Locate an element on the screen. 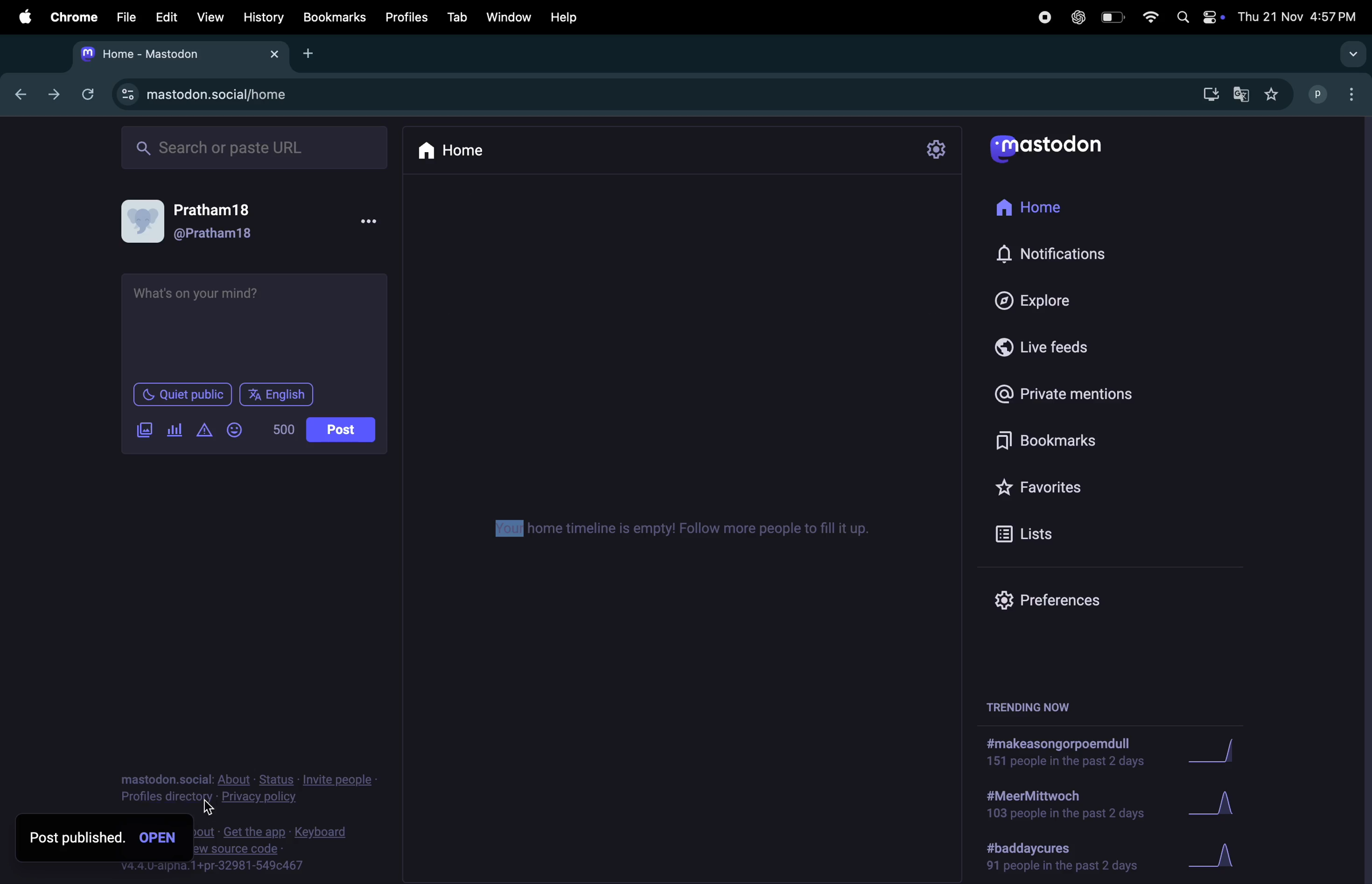 This screenshot has height=884, width=1372. record is located at coordinates (1043, 17).